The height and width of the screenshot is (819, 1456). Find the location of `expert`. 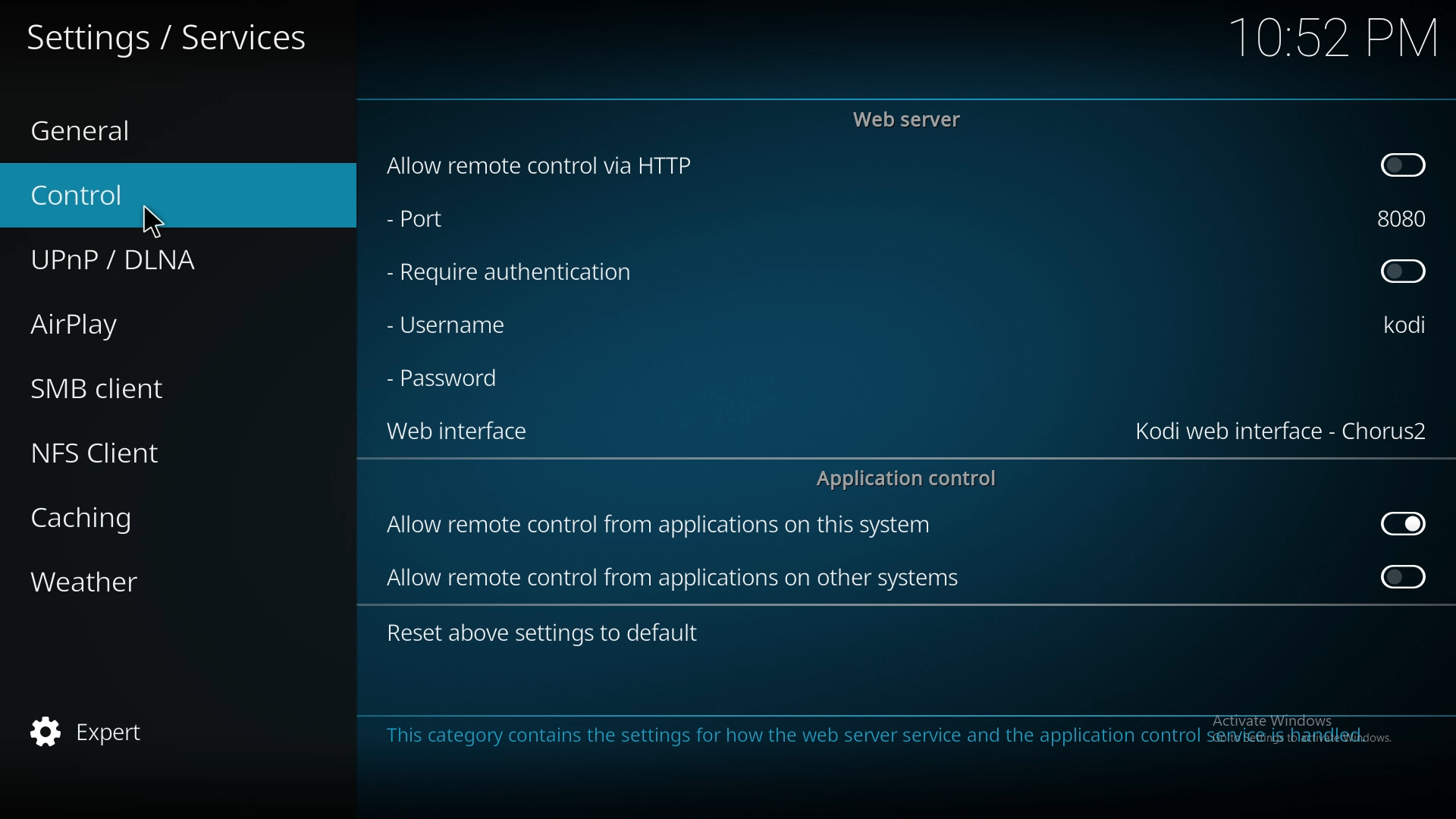

expert is located at coordinates (155, 729).